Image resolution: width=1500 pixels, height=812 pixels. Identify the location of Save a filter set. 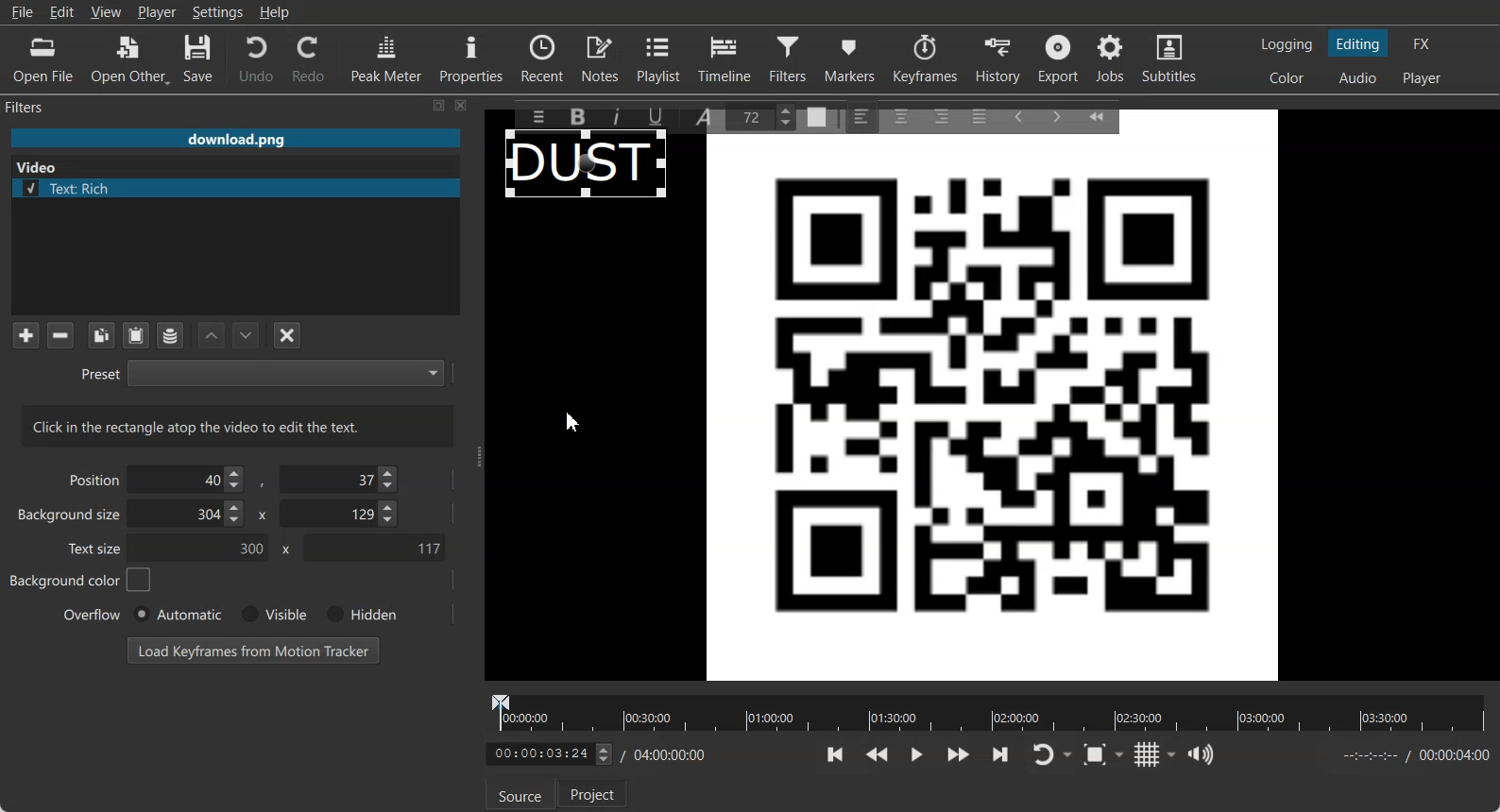
(169, 336).